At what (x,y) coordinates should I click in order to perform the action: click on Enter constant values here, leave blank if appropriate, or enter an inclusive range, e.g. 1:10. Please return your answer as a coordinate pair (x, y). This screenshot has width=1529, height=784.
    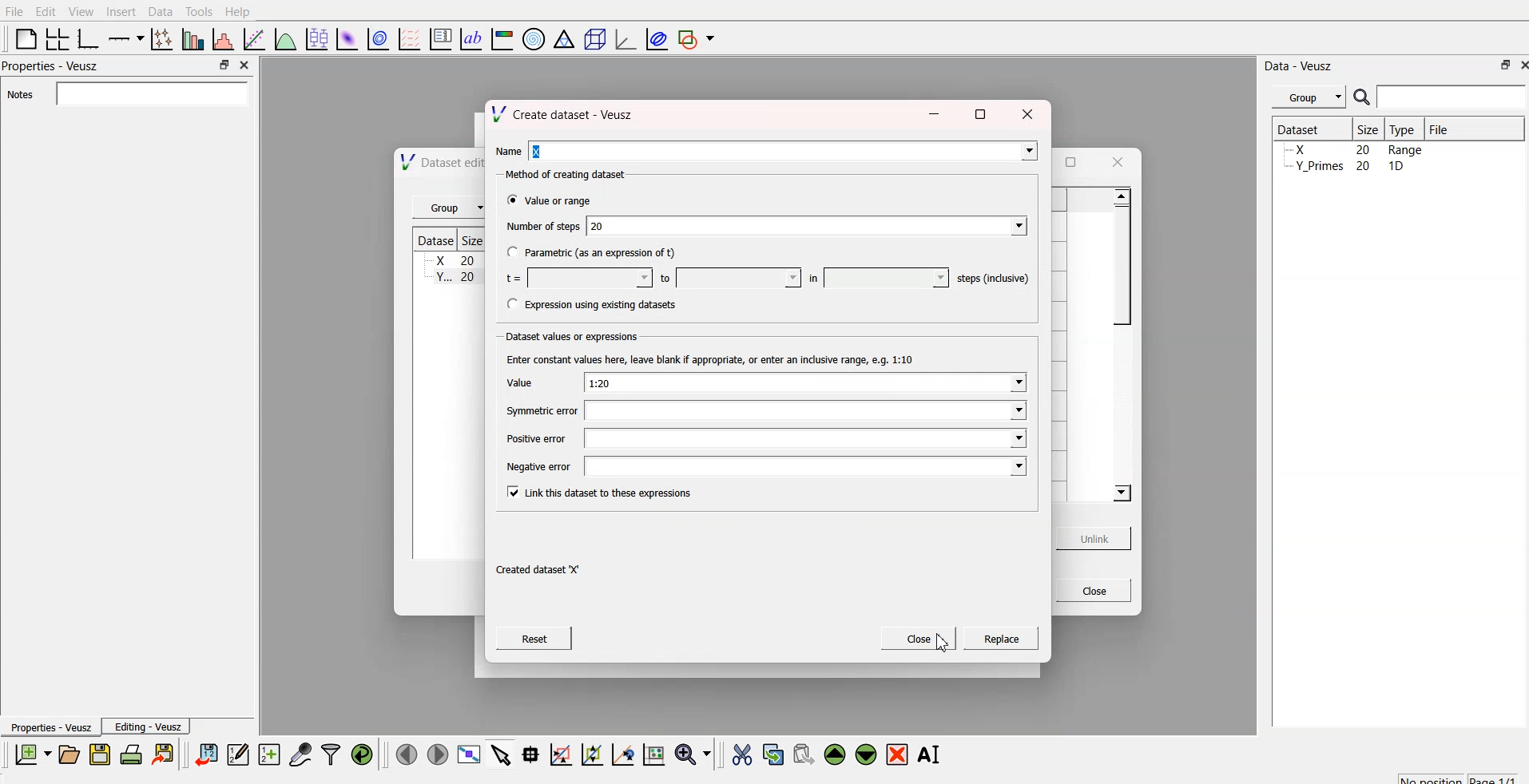
    Looking at the image, I should click on (717, 359).